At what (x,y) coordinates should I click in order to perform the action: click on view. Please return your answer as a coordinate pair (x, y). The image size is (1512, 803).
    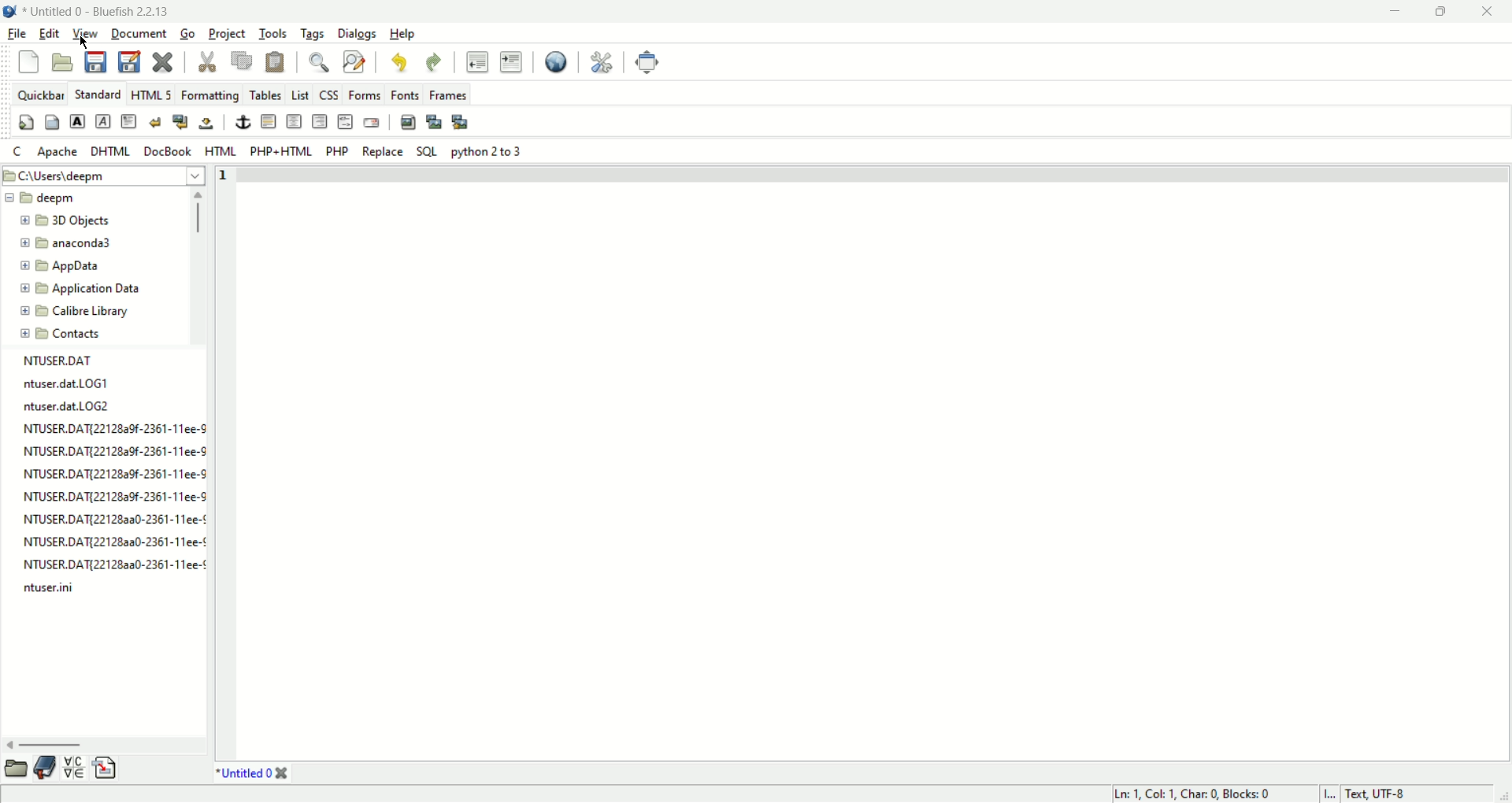
    Looking at the image, I should click on (86, 34).